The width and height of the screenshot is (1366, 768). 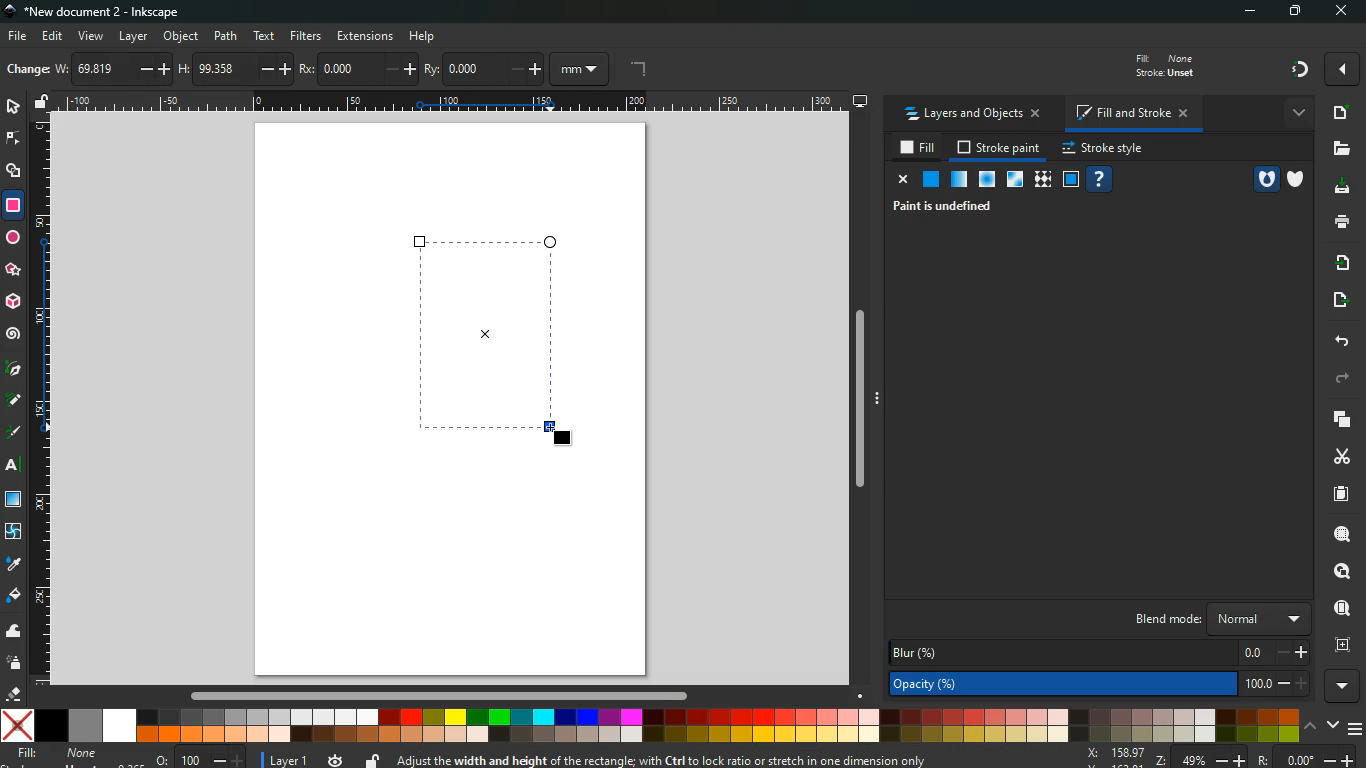 I want to click on opacity, so click(x=1100, y=684).